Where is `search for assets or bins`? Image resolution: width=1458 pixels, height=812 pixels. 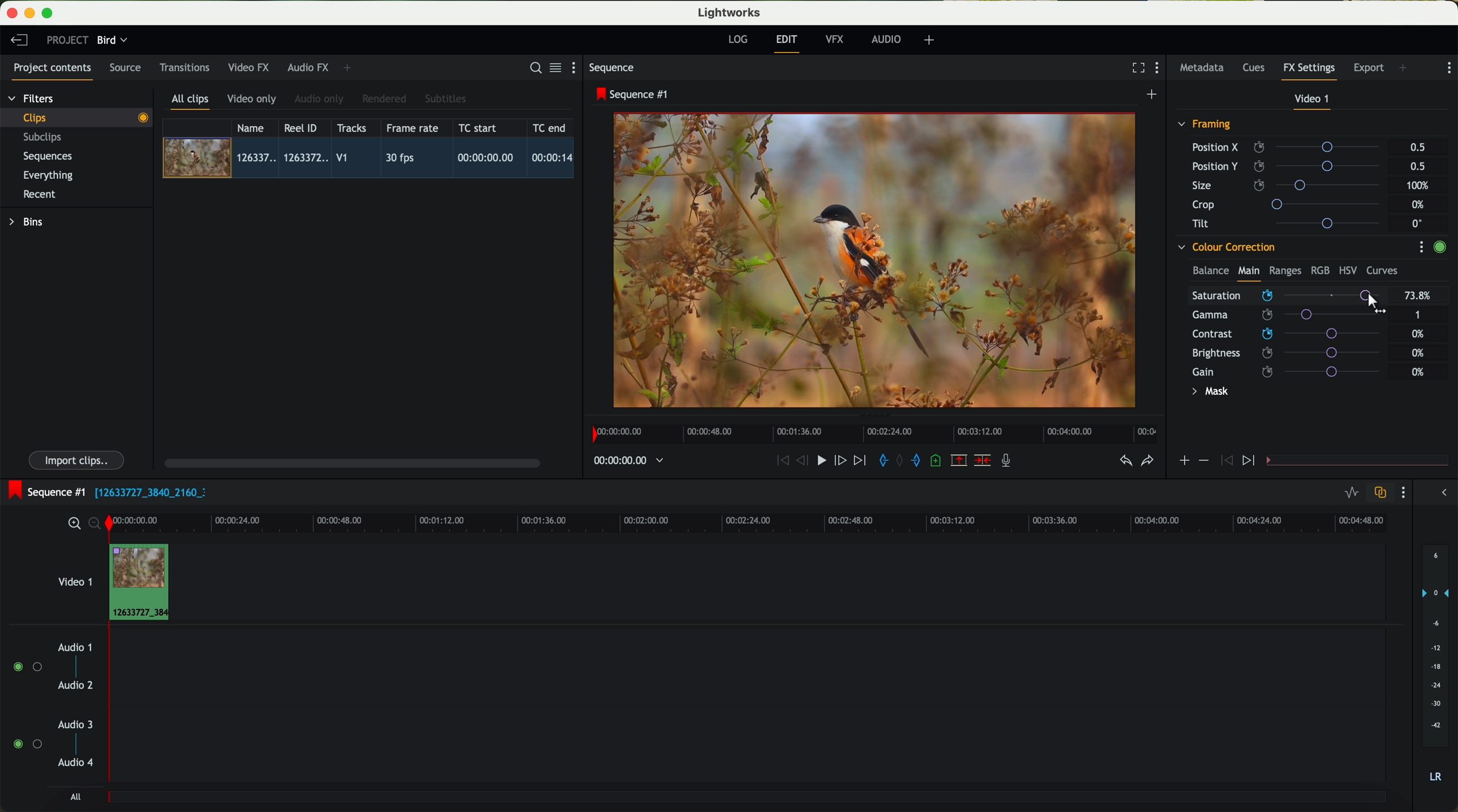 search for assets or bins is located at coordinates (532, 68).